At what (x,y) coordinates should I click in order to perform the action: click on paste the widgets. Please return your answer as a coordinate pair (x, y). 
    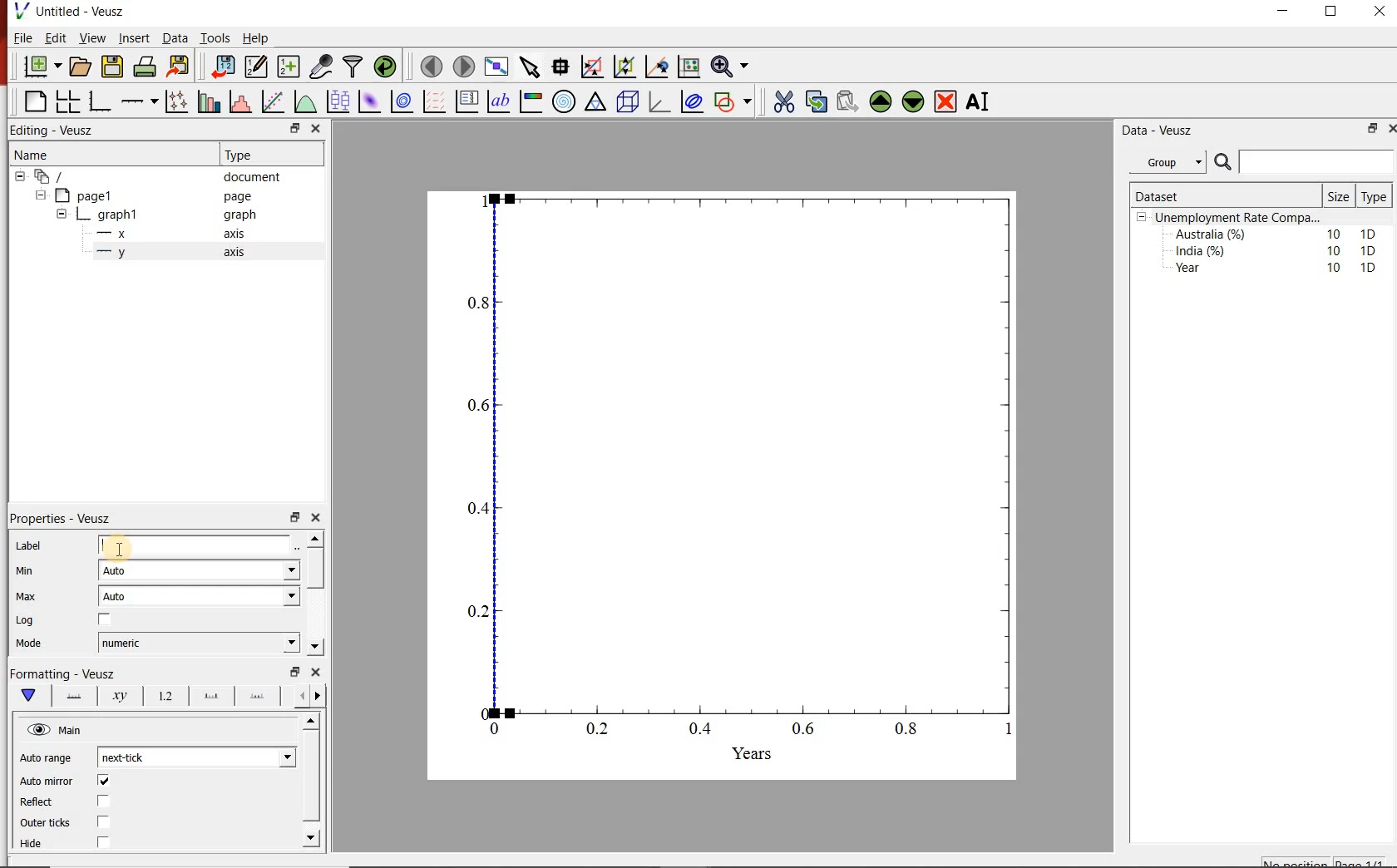
    Looking at the image, I should click on (848, 101).